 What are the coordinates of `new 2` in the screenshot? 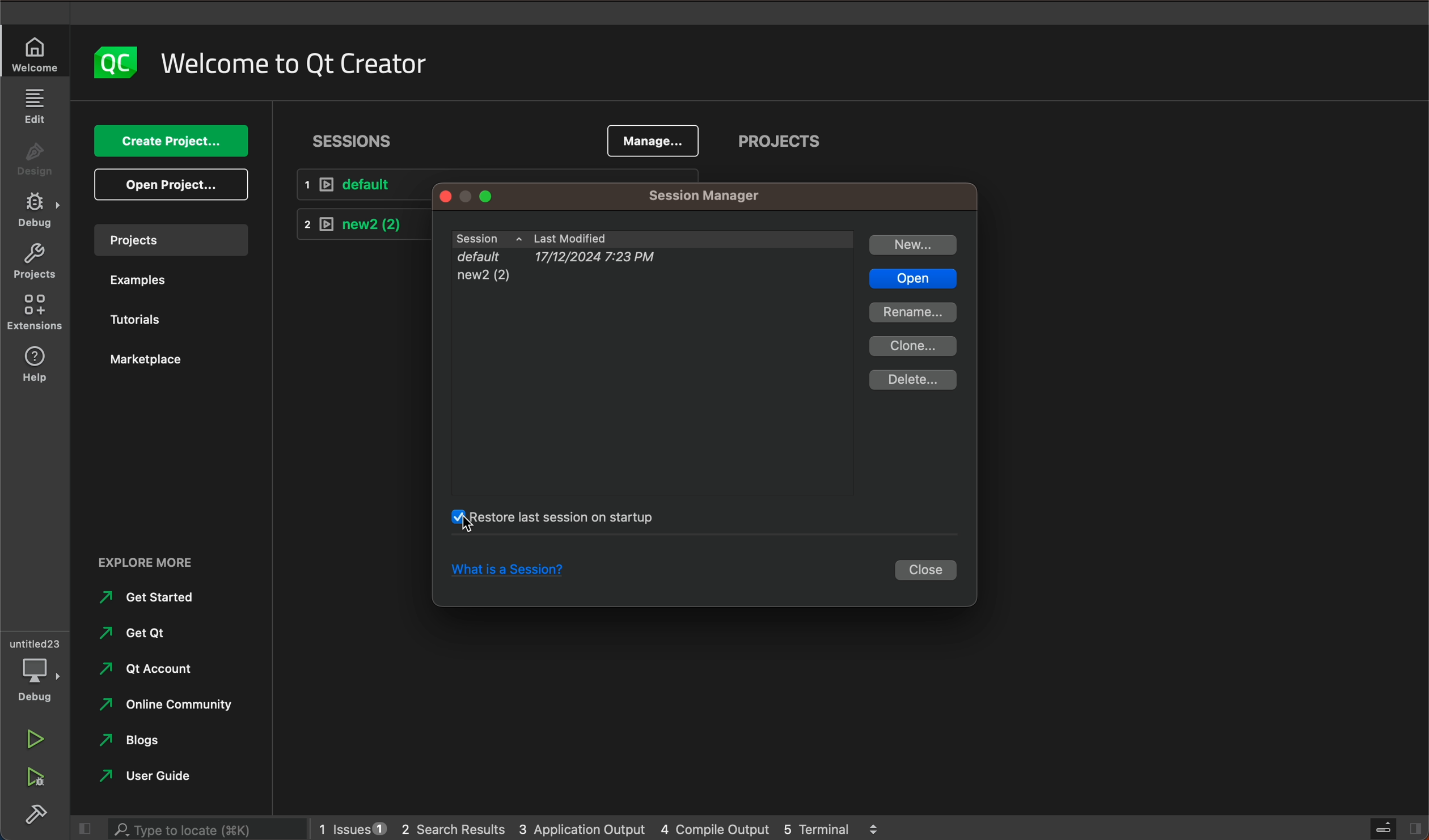 It's located at (358, 226).